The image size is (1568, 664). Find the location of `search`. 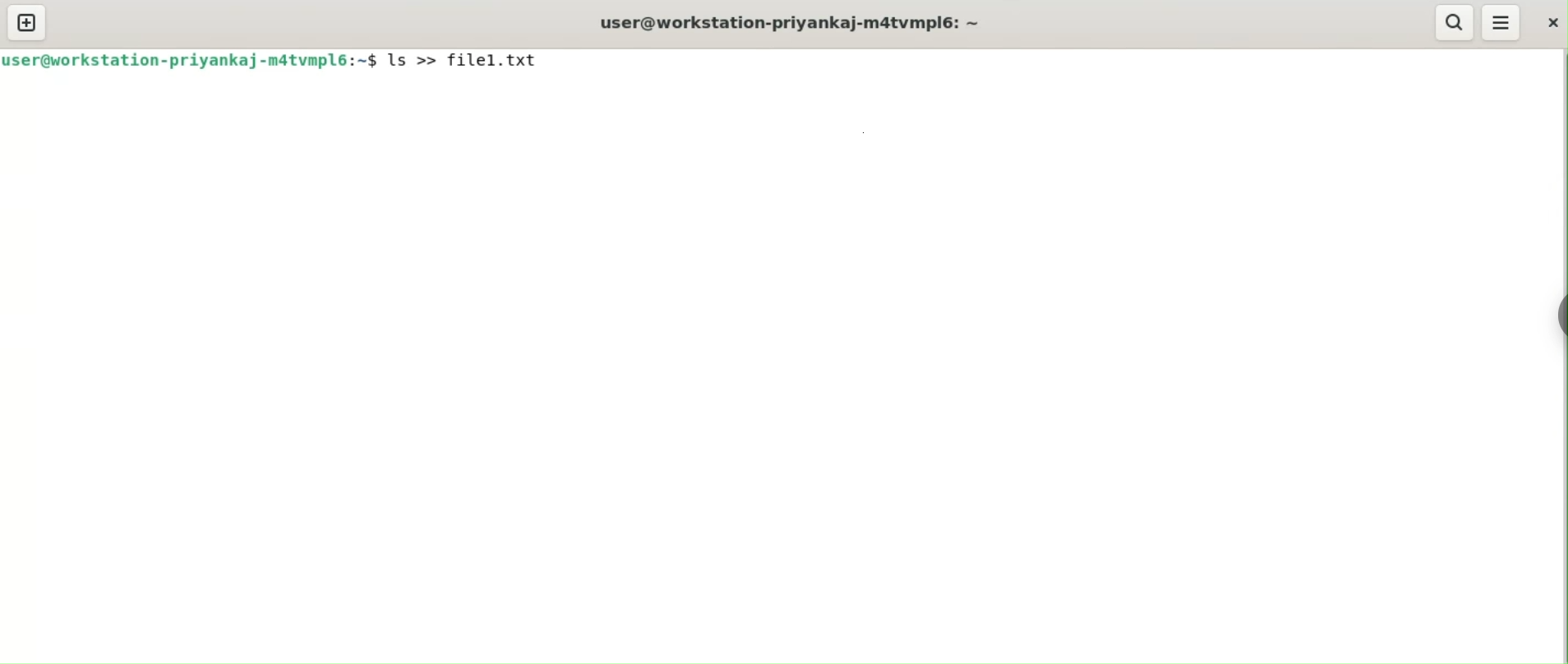

search is located at coordinates (1455, 22).